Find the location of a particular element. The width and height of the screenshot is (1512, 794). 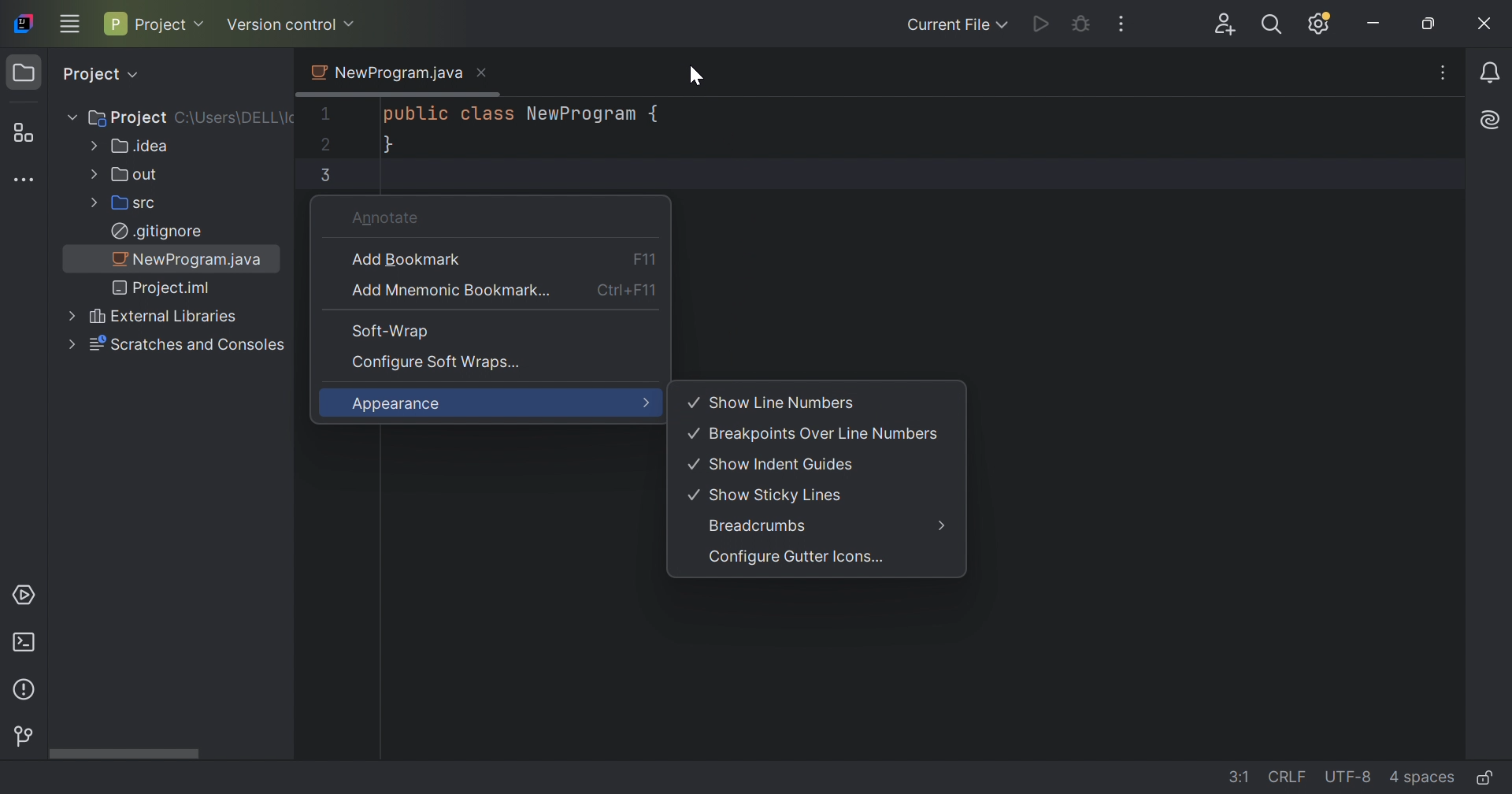

Cursor is located at coordinates (699, 75).